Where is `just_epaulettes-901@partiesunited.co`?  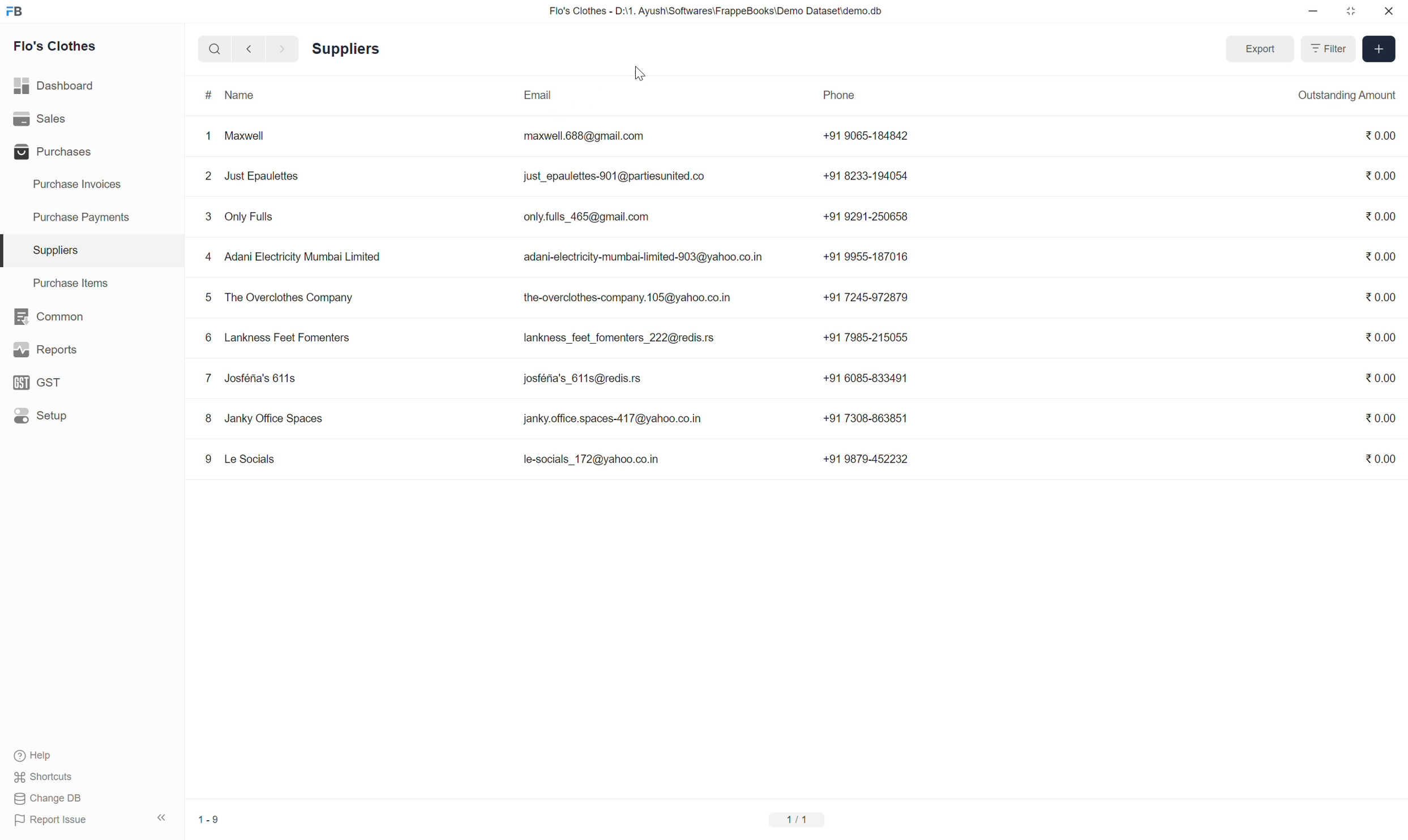 just_epaulettes-901@partiesunited.co is located at coordinates (625, 179).